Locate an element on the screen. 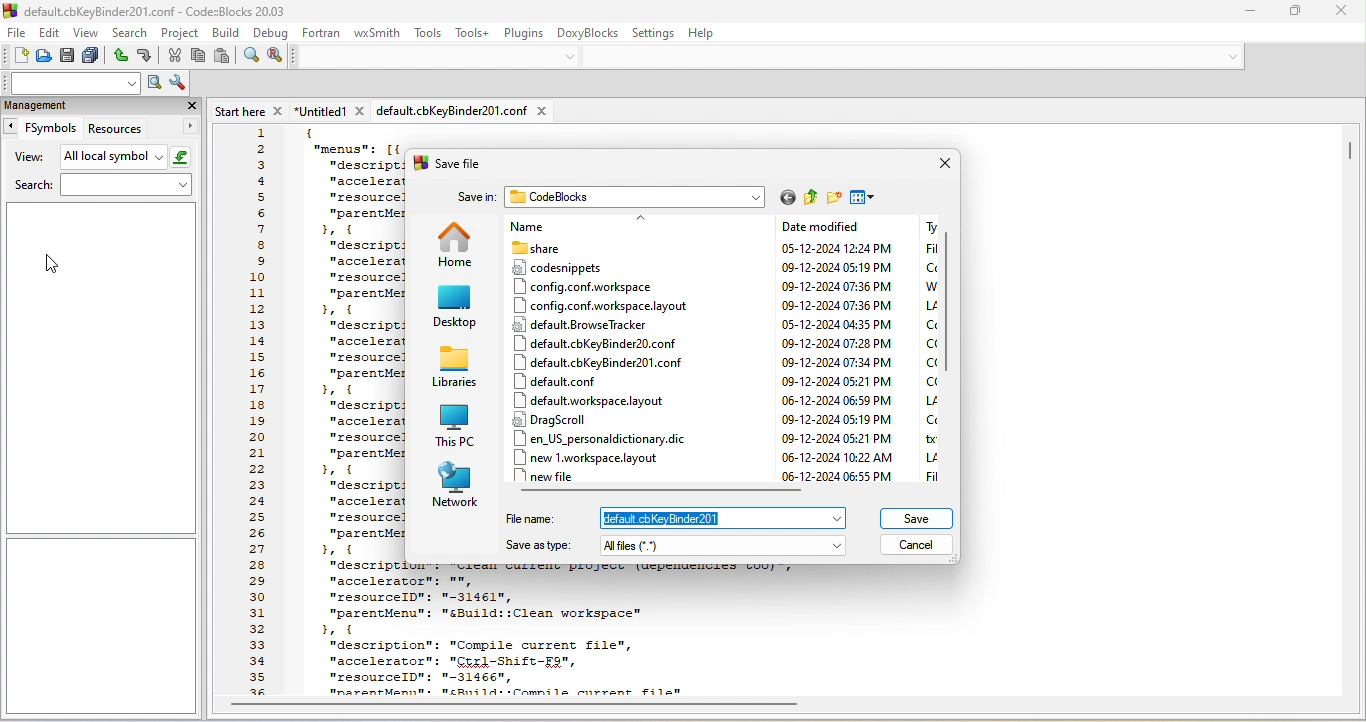 This screenshot has width=1366, height=722. open is located at coordinates (44, 58).